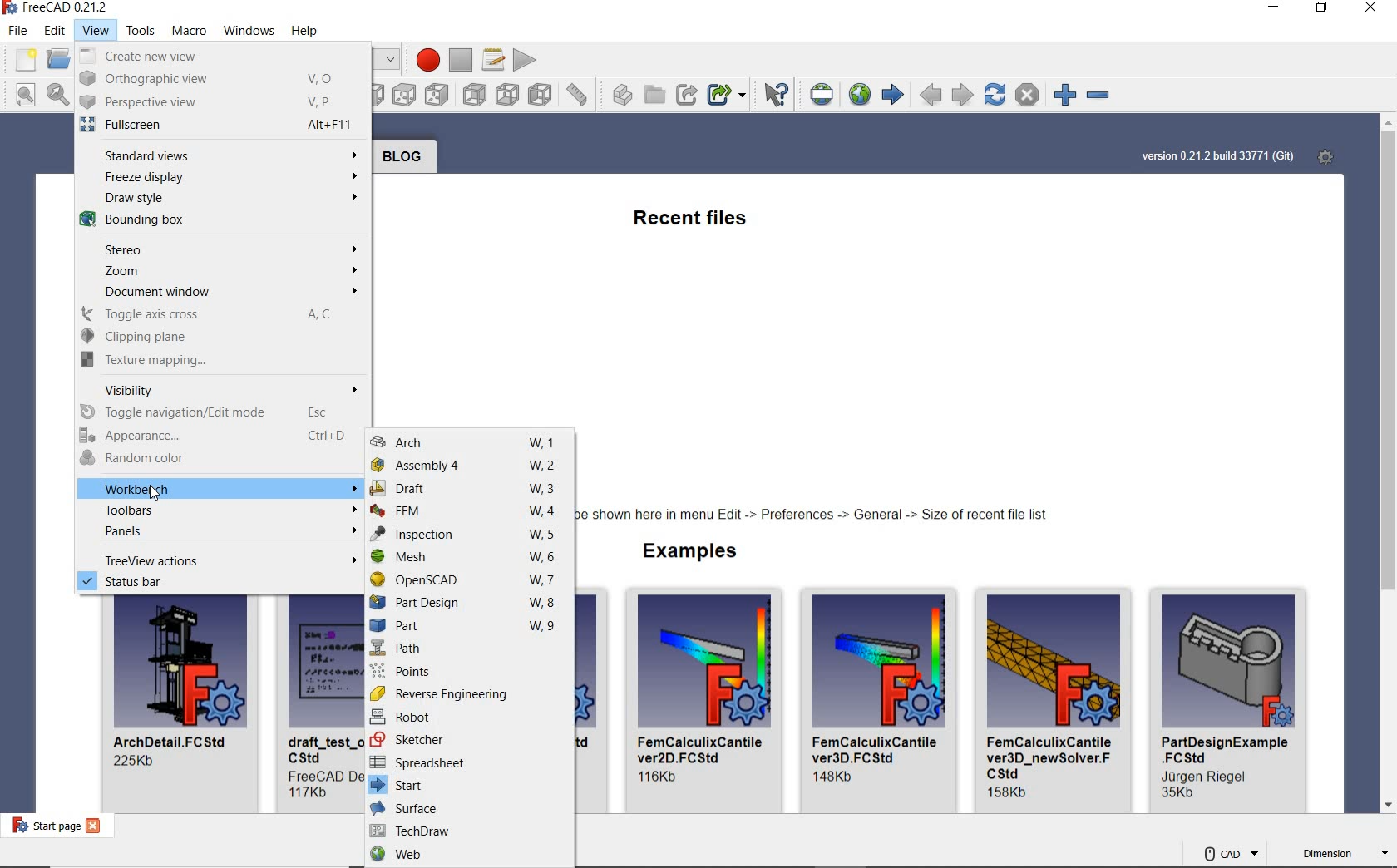  What do you see at coordinates (686, 93) in the screenshot?
I see `MAKE LINK` at bounding box center [686, 93].